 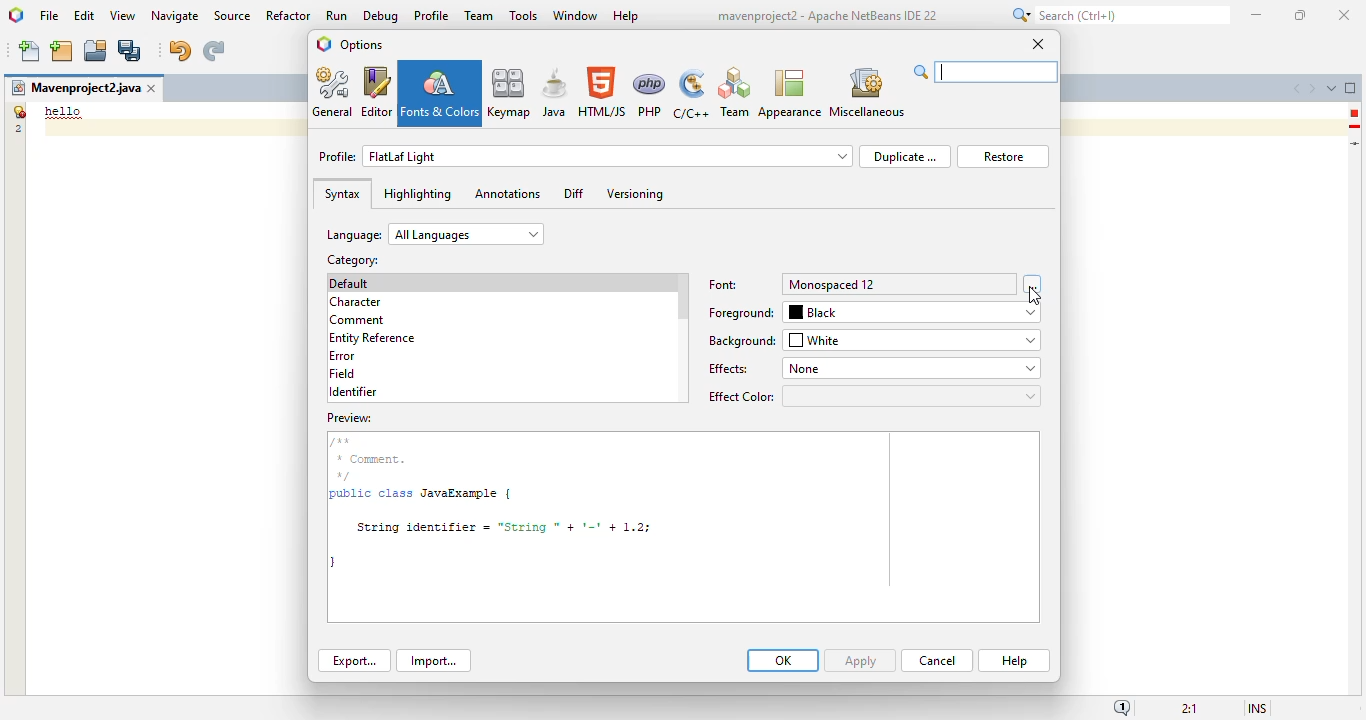 I want to click on OK, so click(x=783, y=660).